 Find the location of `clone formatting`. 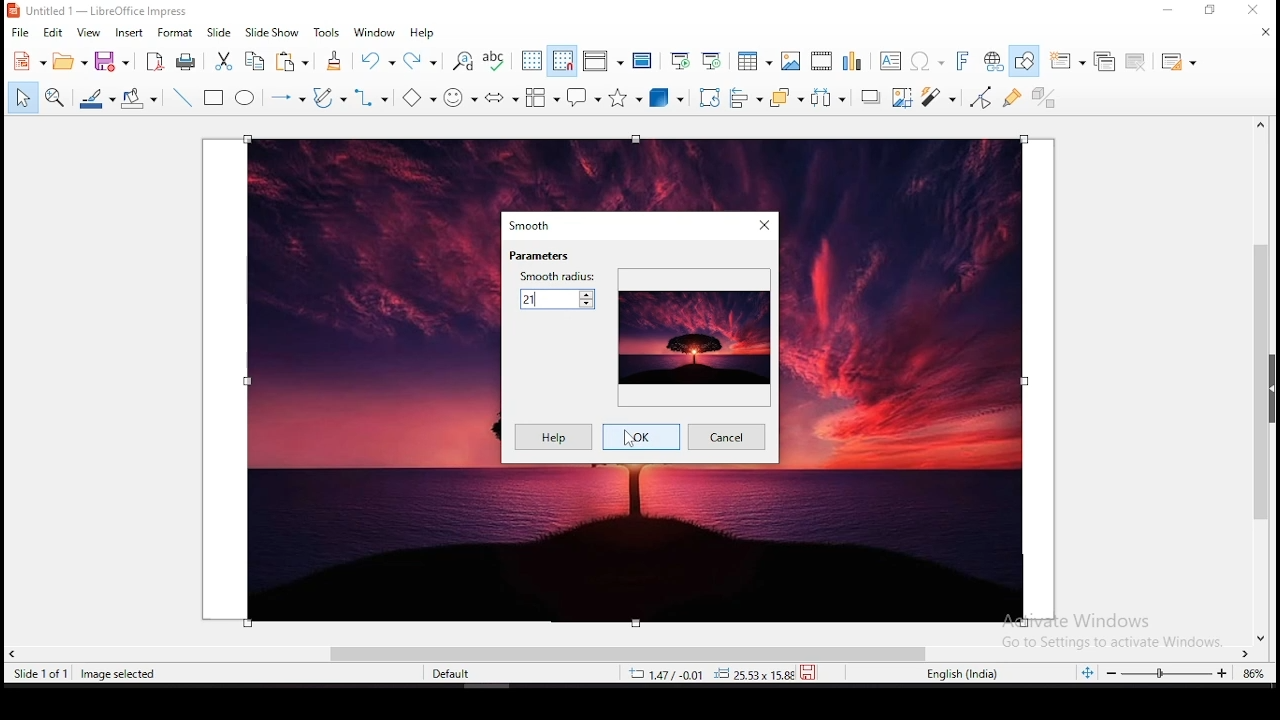

clone formatting is located at coordinates (334, 60).